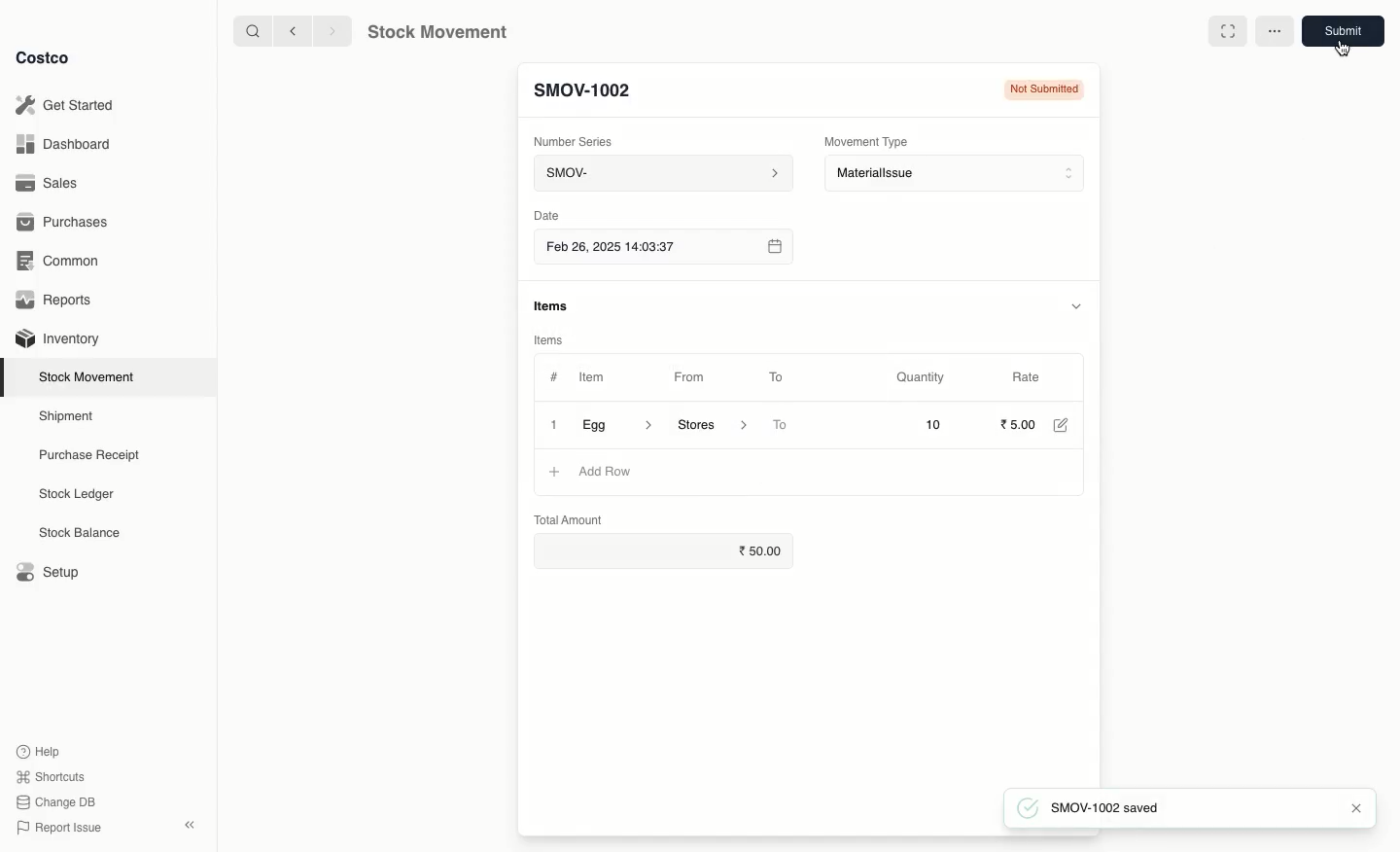  Describe the element at coordinates (1101, 807) in the screenshot. I see `SMOV-1002 saved` at that location.